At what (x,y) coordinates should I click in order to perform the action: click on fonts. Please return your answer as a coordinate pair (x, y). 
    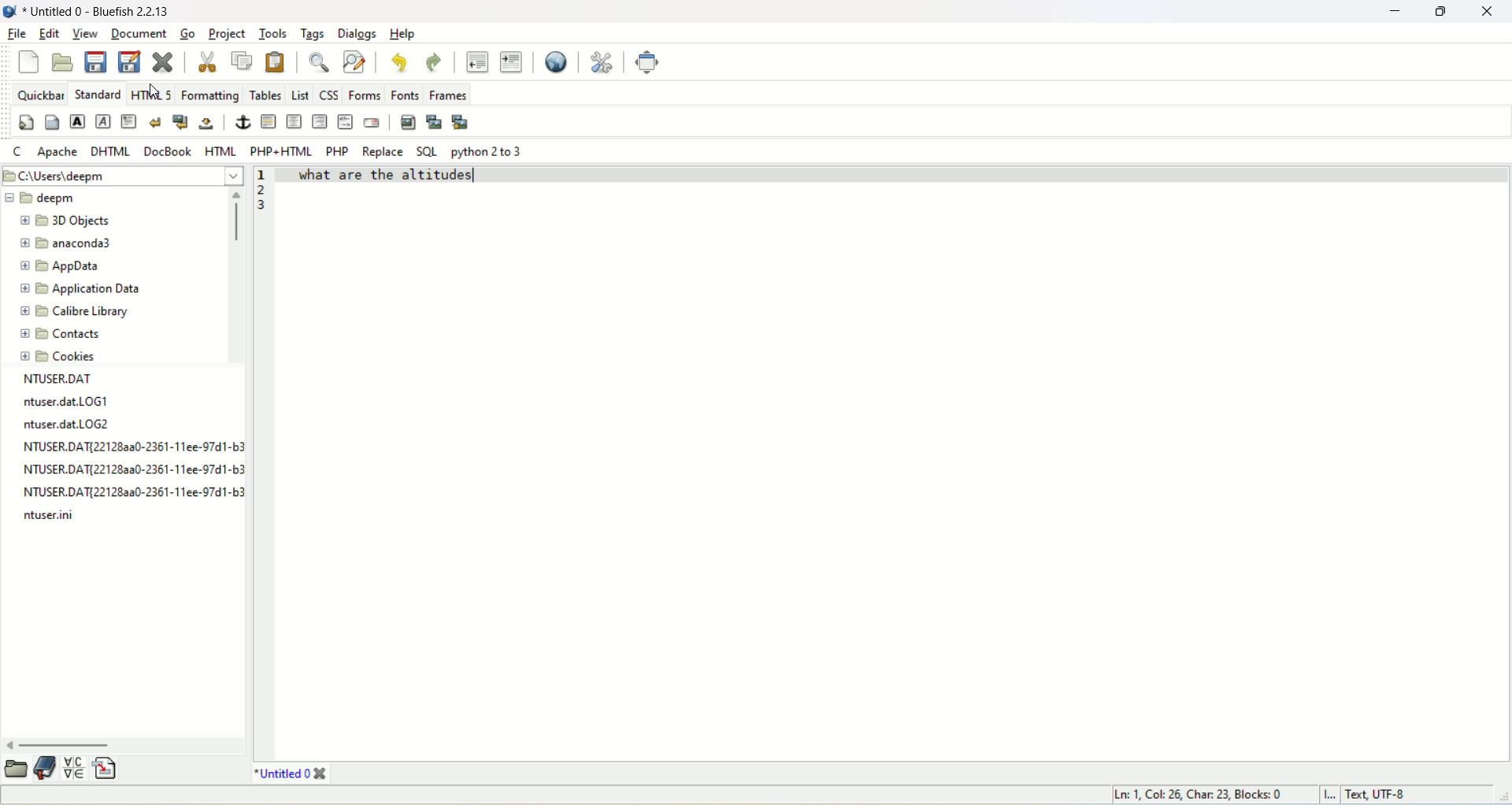
    Looking at the image, I should click on (403, 93).